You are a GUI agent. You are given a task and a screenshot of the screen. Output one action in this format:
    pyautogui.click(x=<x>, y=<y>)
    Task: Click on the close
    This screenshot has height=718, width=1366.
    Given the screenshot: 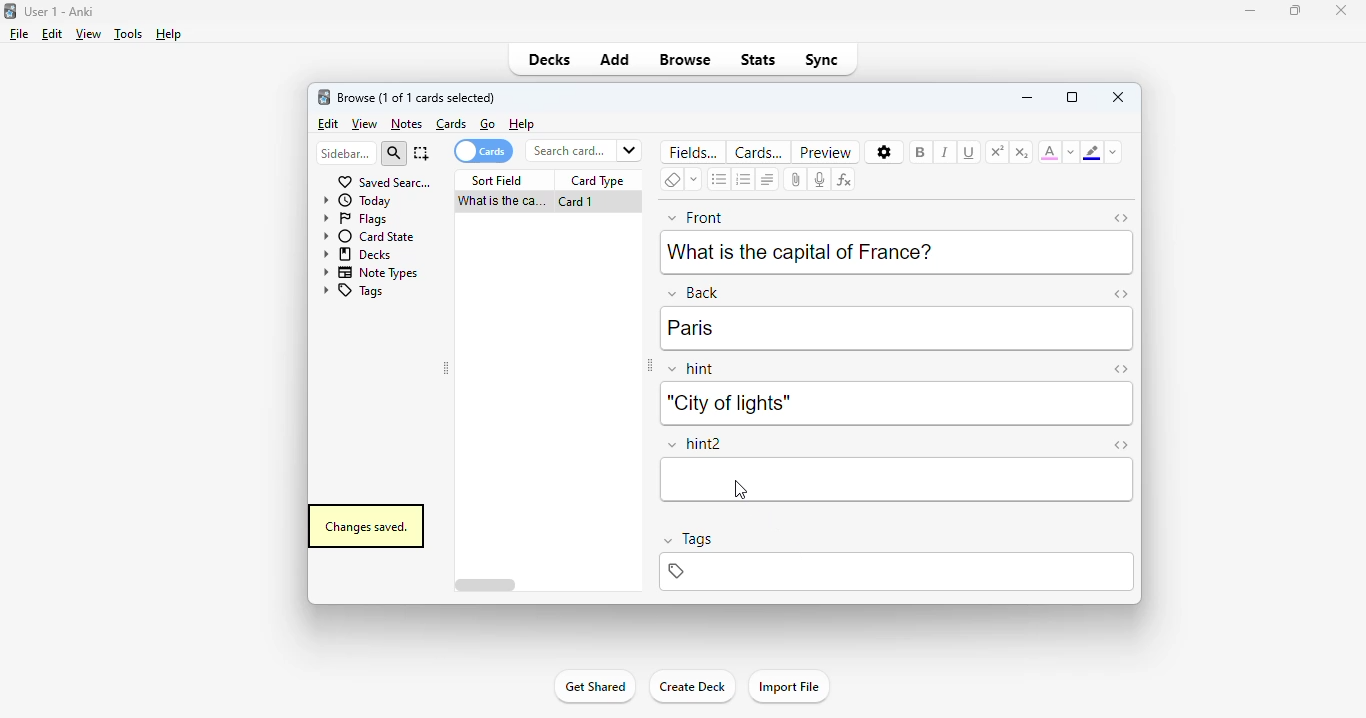 What is the action you would take?
    pyautogui.click(x=1341, y=10)
    